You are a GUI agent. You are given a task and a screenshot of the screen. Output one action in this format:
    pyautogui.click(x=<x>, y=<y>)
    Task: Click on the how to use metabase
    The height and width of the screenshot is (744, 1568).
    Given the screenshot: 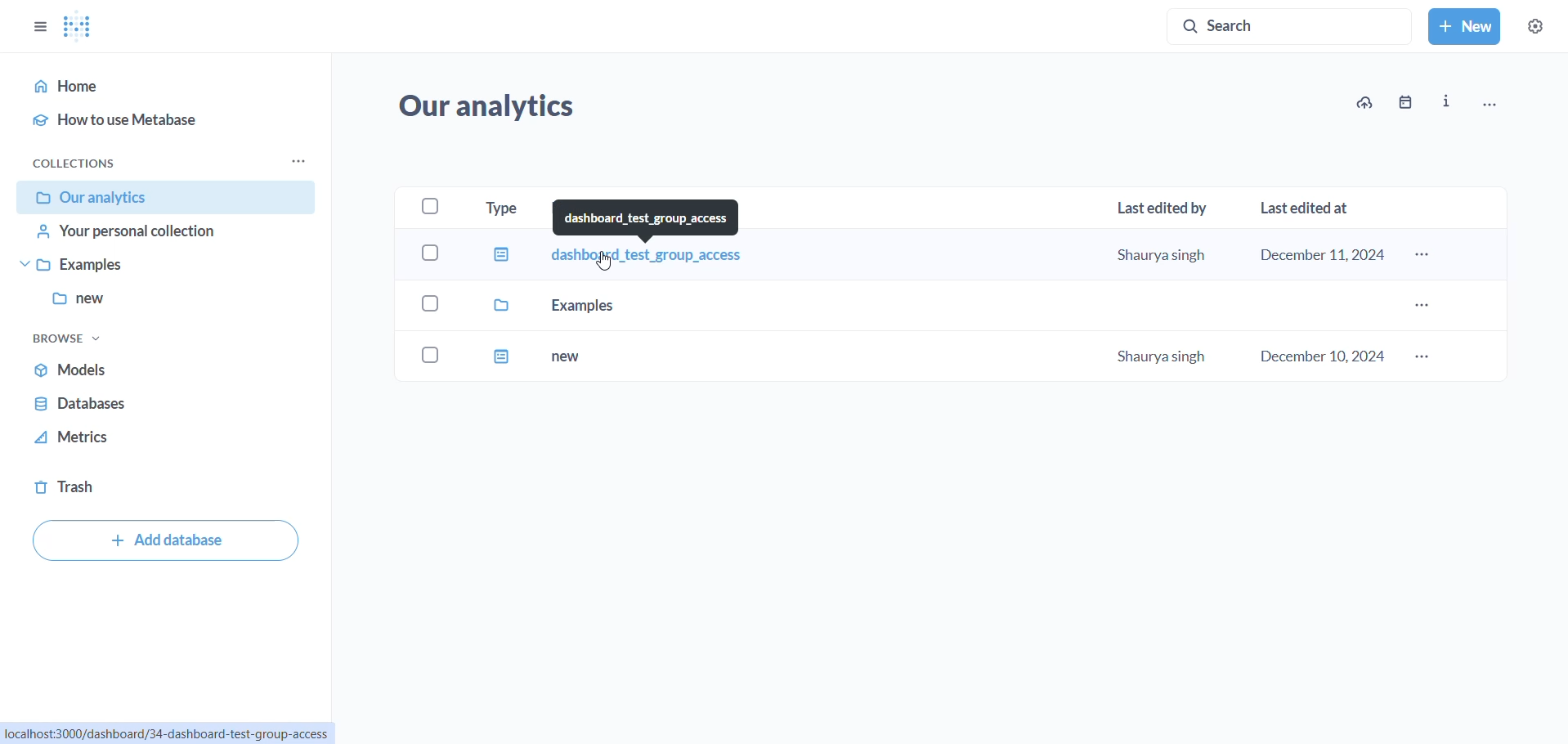 What is the action you would take?
    pyautogui.click(x=164, y=123)
    